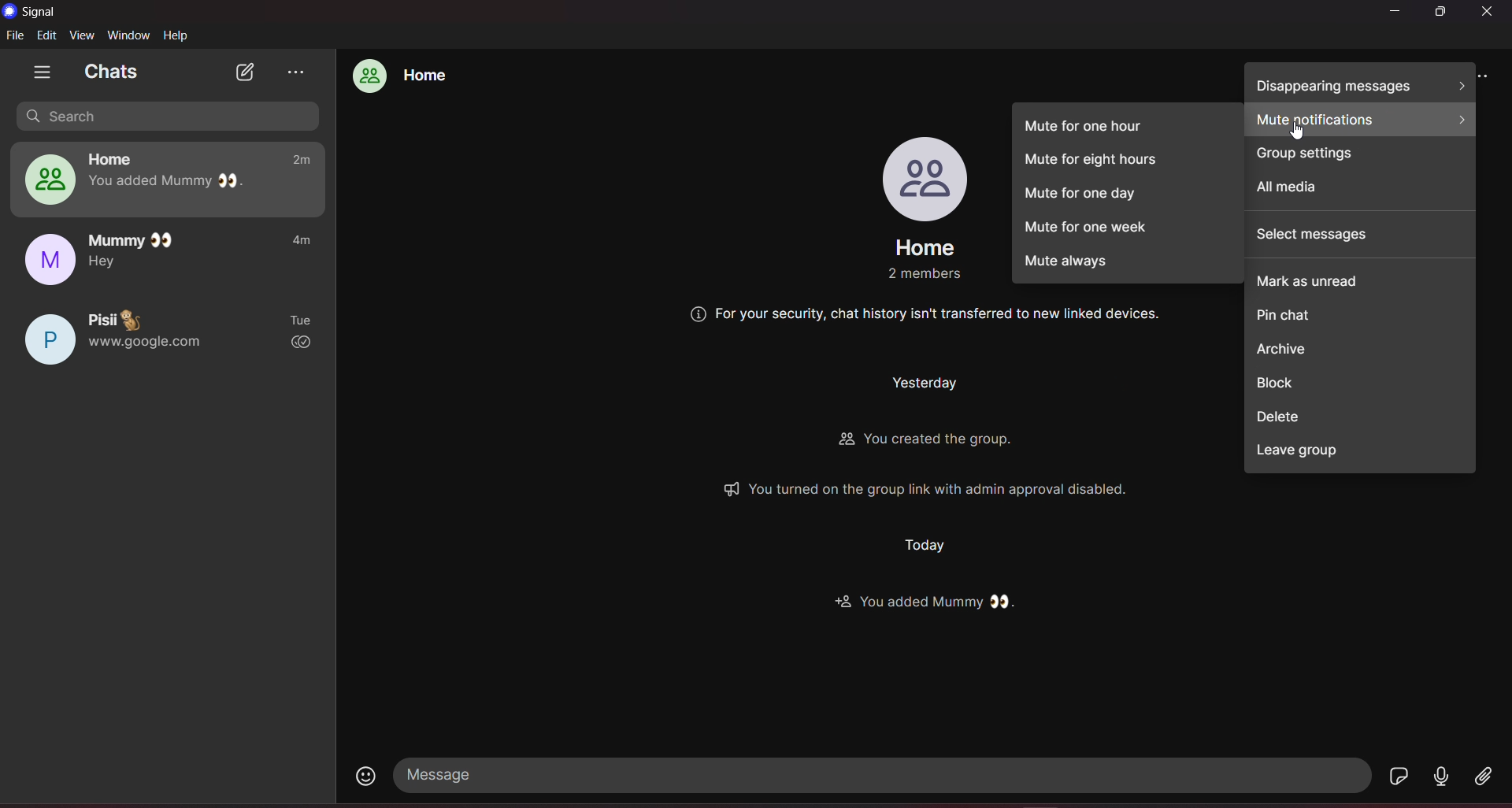 Image resolution: width=1512 pixels, height=808 pixels. Describe the element at coordinates (1488, 12) in the screenshot. I see `close` at that location.